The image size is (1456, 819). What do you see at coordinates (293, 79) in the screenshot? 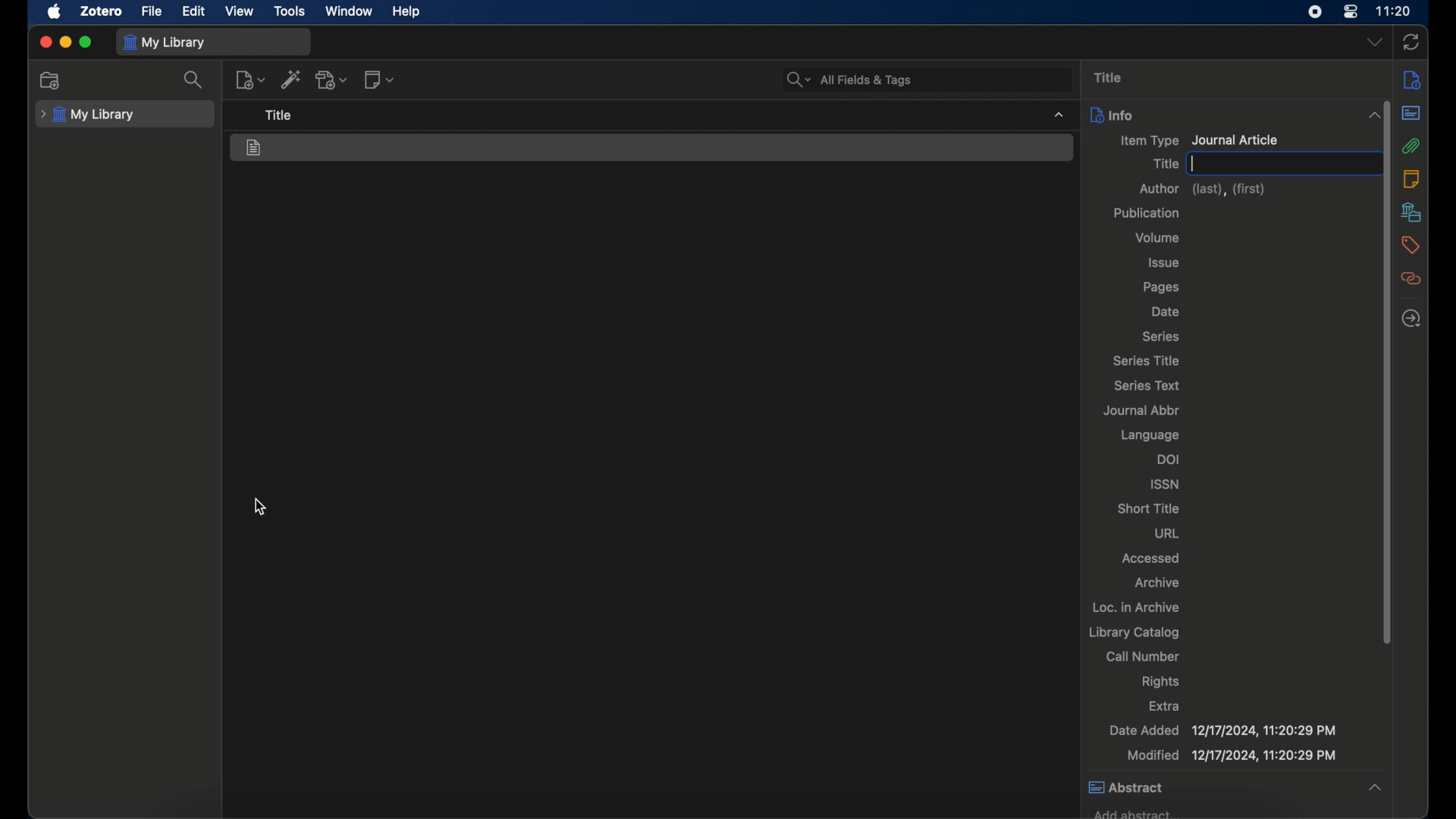
I see `add item by identifier` at bounding box center [293, 79].